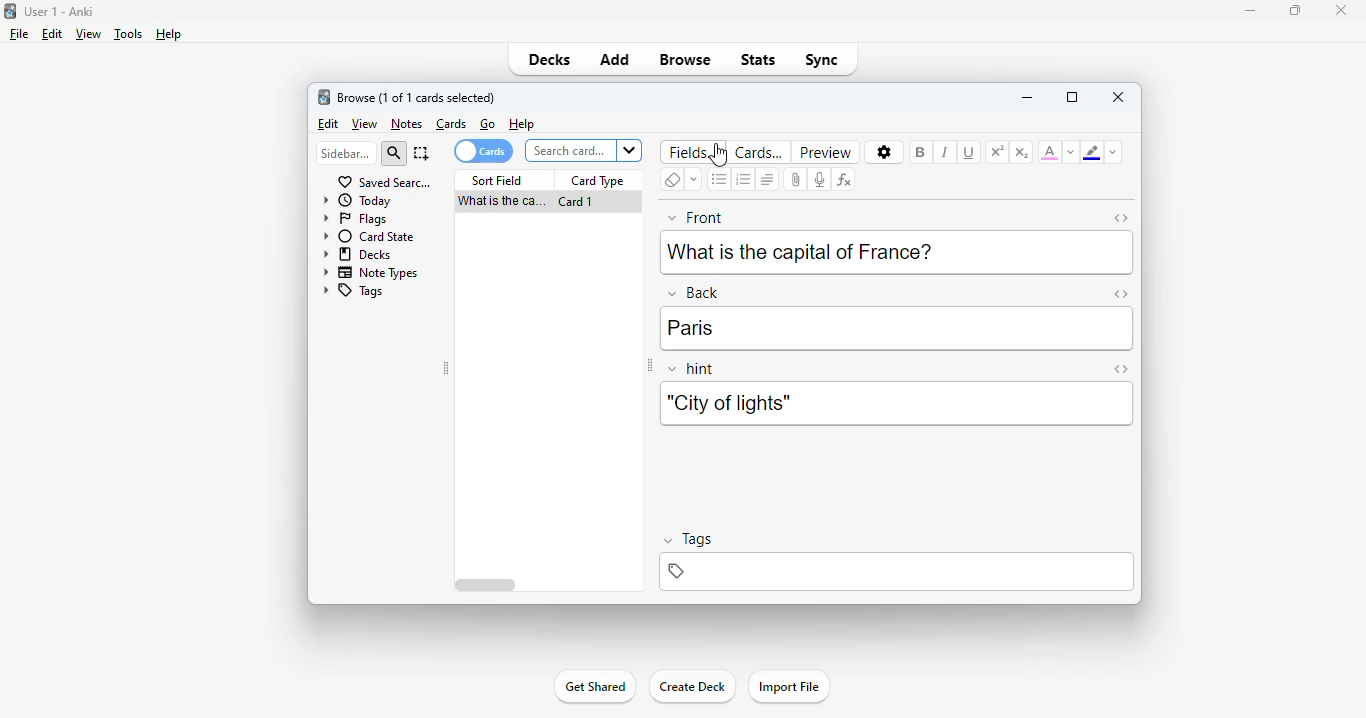  What do you see at coordinates (820, 58) in the screenshot?
I see `sync` at bounding box center [820, 58].